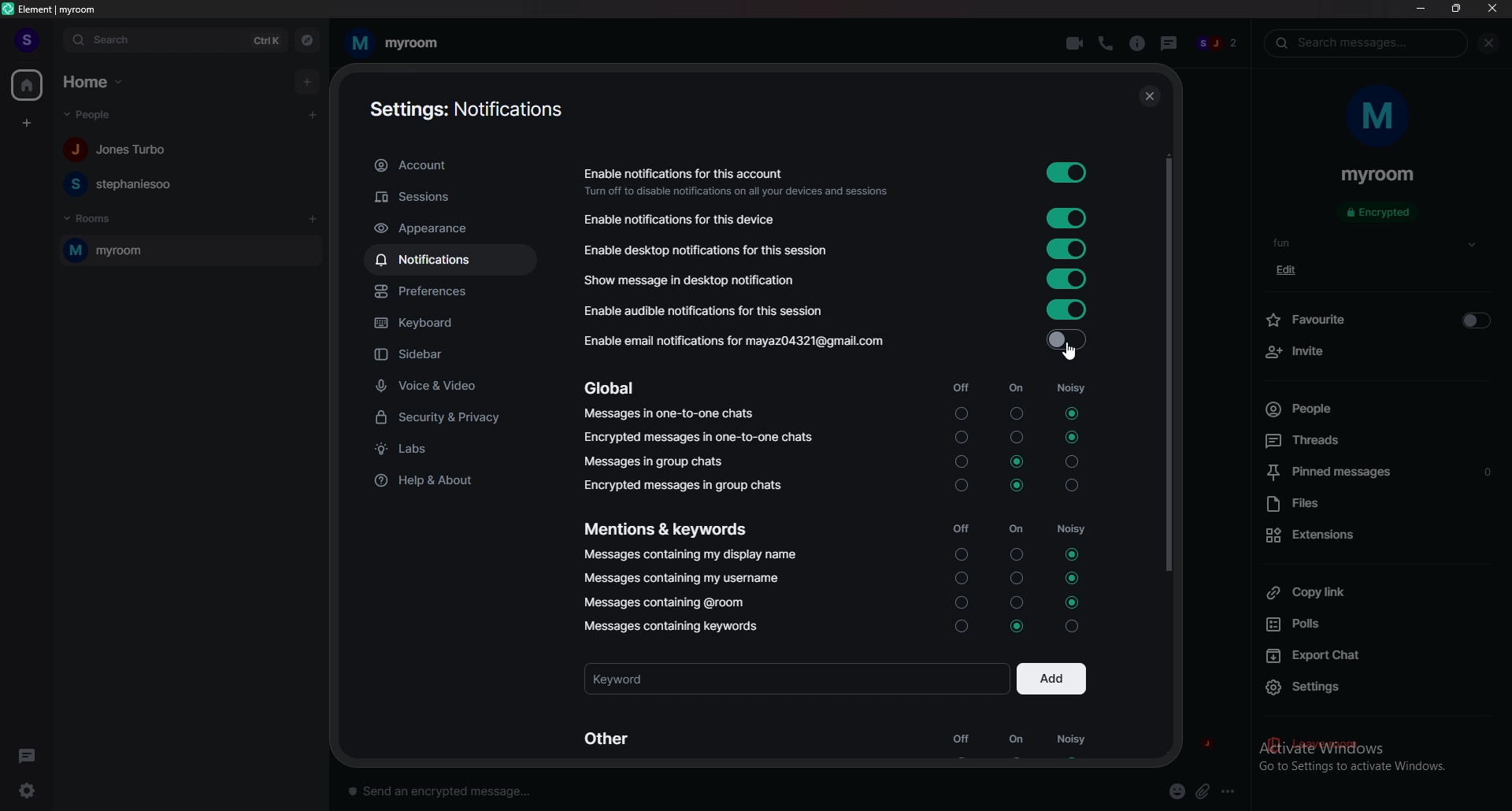  Describe the element at coordinates (673, 626) in the screenshot. I see `messages containing keyword` at that location.